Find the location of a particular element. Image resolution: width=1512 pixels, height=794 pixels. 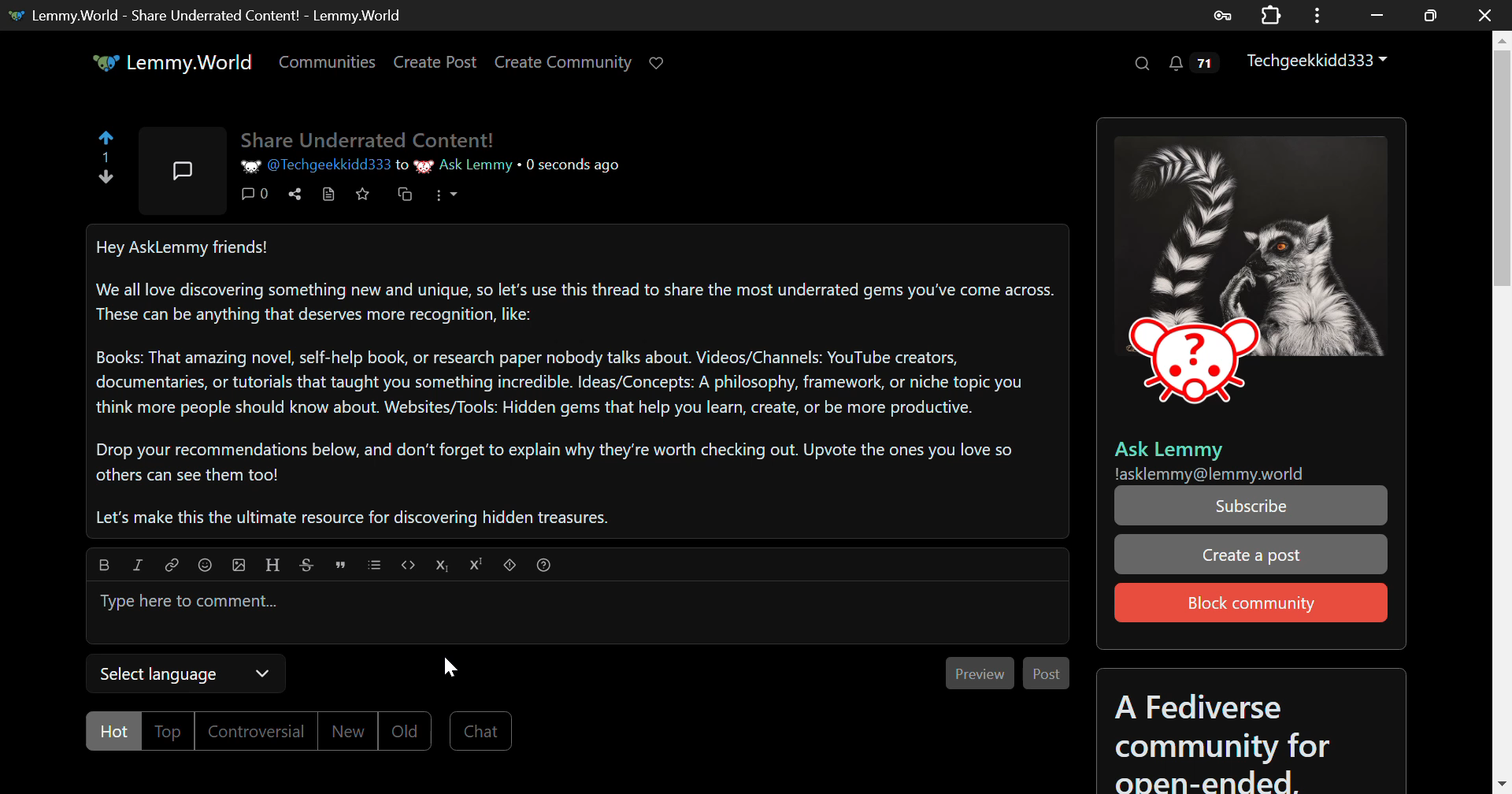

Block community is located at coordinates (1249, 601).